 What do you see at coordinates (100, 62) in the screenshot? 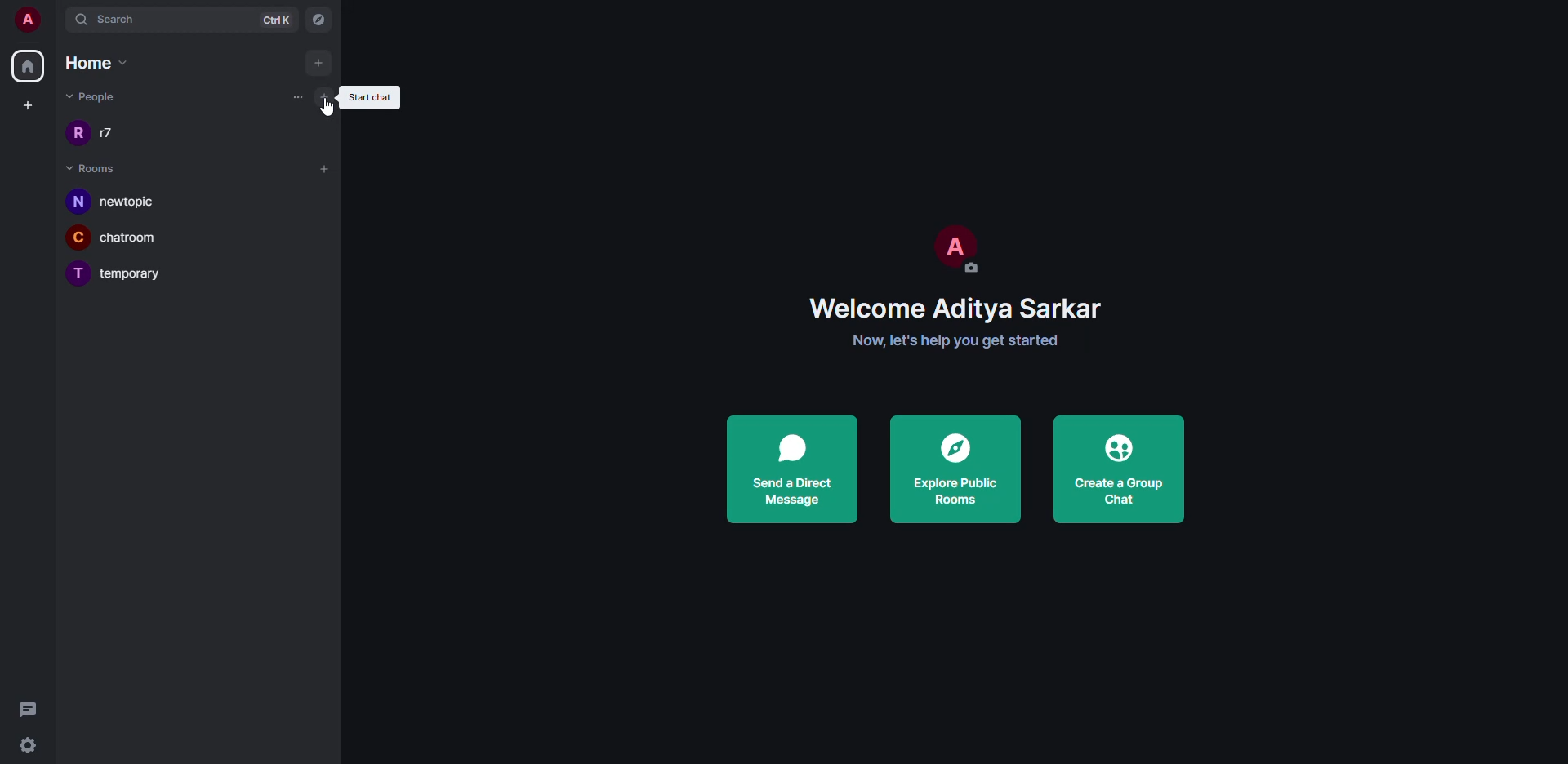
I see `home` at bounding box center [100, 62].